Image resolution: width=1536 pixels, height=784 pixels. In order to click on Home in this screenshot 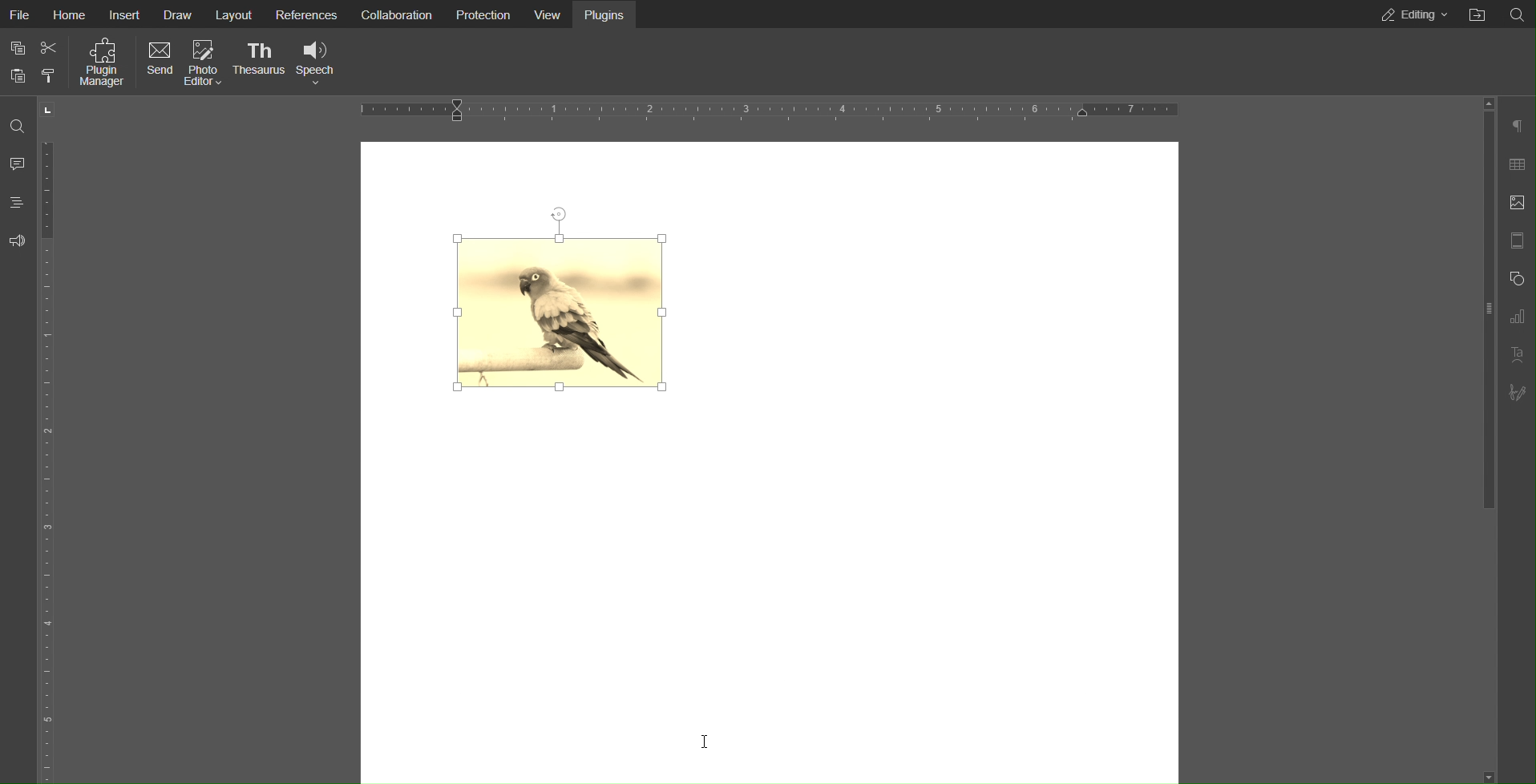, I will do `click(71, 13)`.